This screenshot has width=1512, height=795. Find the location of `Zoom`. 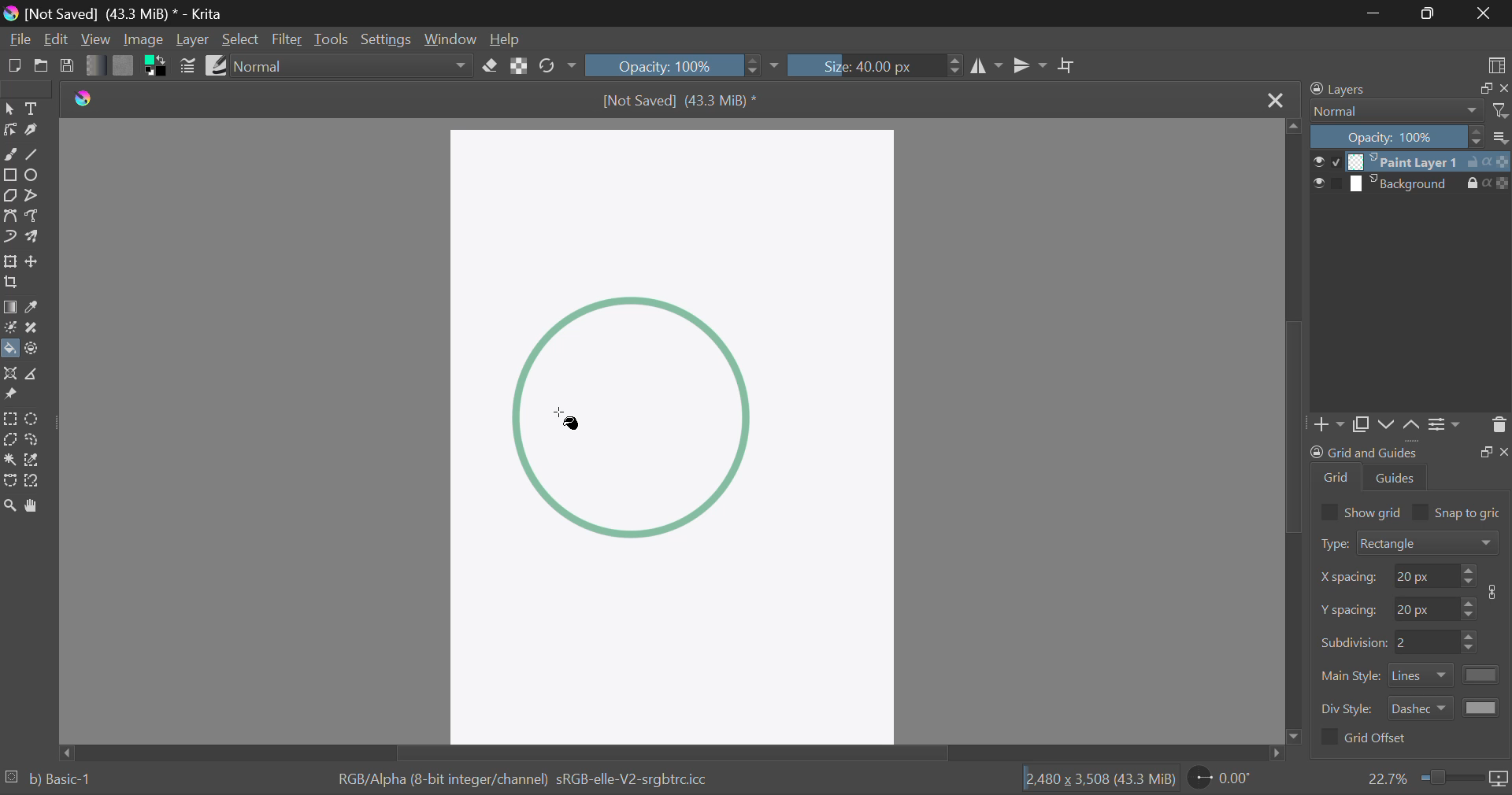

Zoom is located at coordinates (1437, 778).